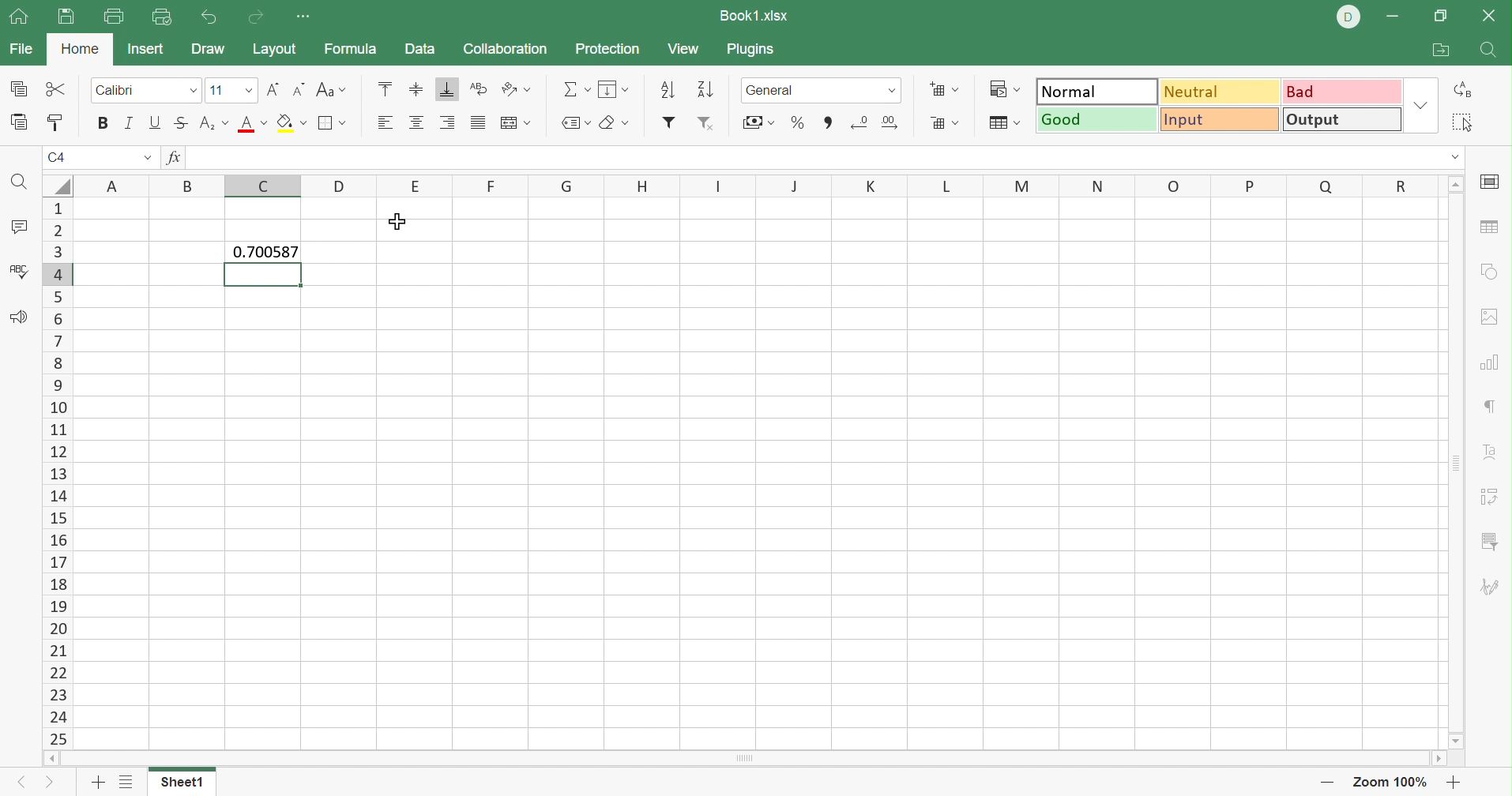 This screenshot has width=1512, height=796. I want to click on Home, so click(83, 49).